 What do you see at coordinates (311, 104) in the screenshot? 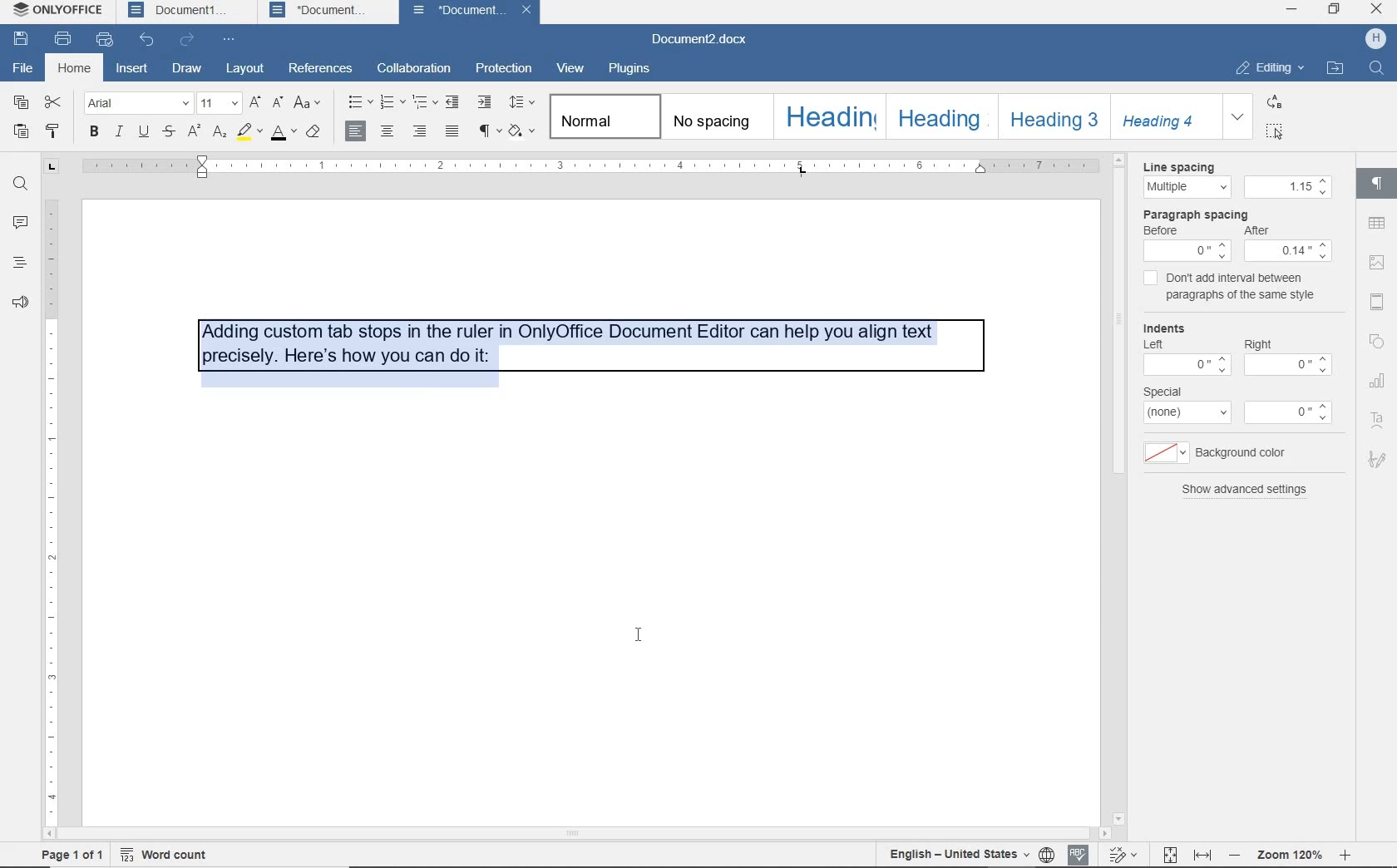
I see `change case` at bounding box center [311, 104].